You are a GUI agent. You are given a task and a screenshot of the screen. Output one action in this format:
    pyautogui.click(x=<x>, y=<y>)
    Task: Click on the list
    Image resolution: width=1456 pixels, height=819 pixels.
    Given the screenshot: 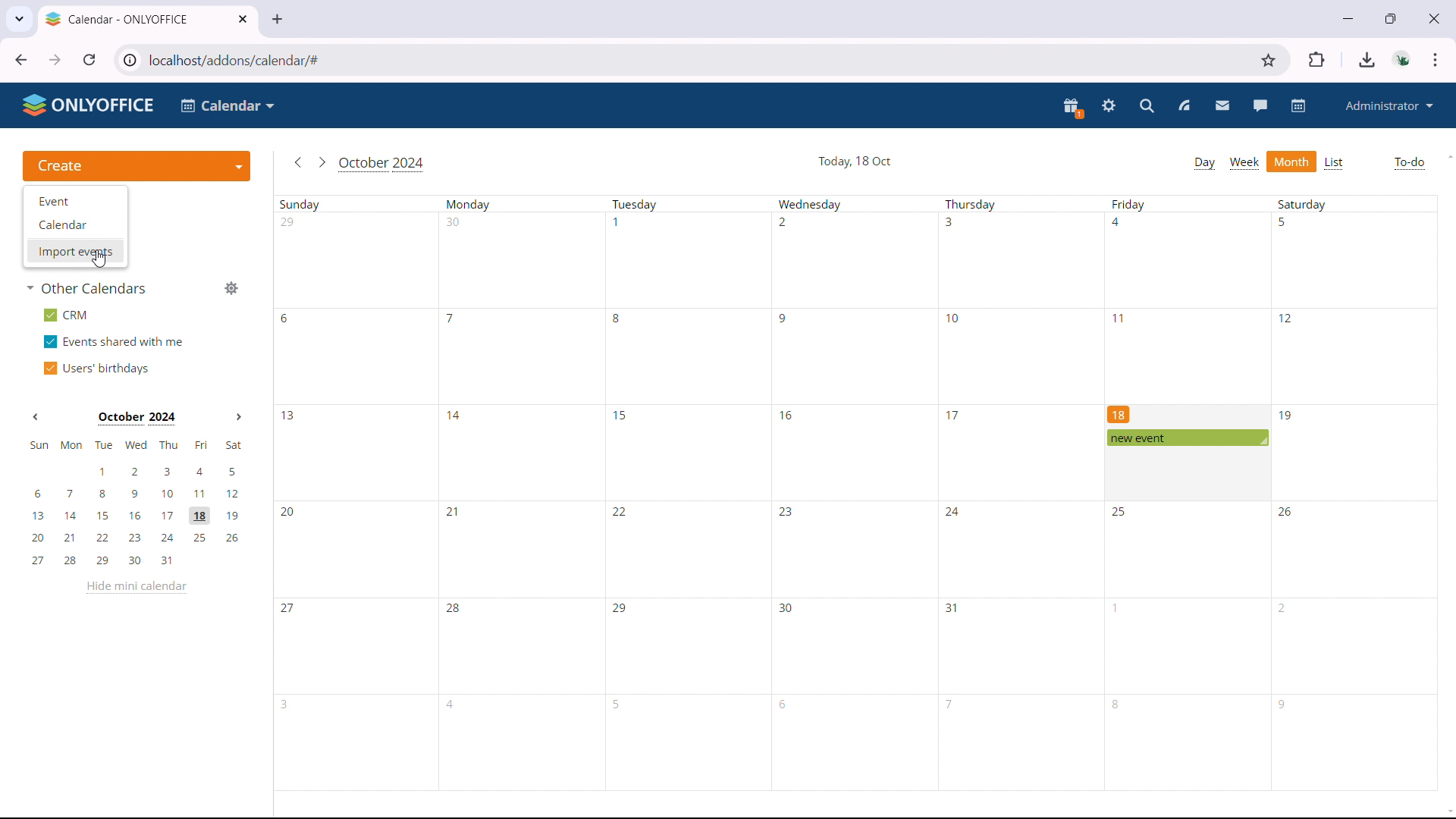 What is the action you would take?
    pyautogui.click(x=1335, y=163)
    